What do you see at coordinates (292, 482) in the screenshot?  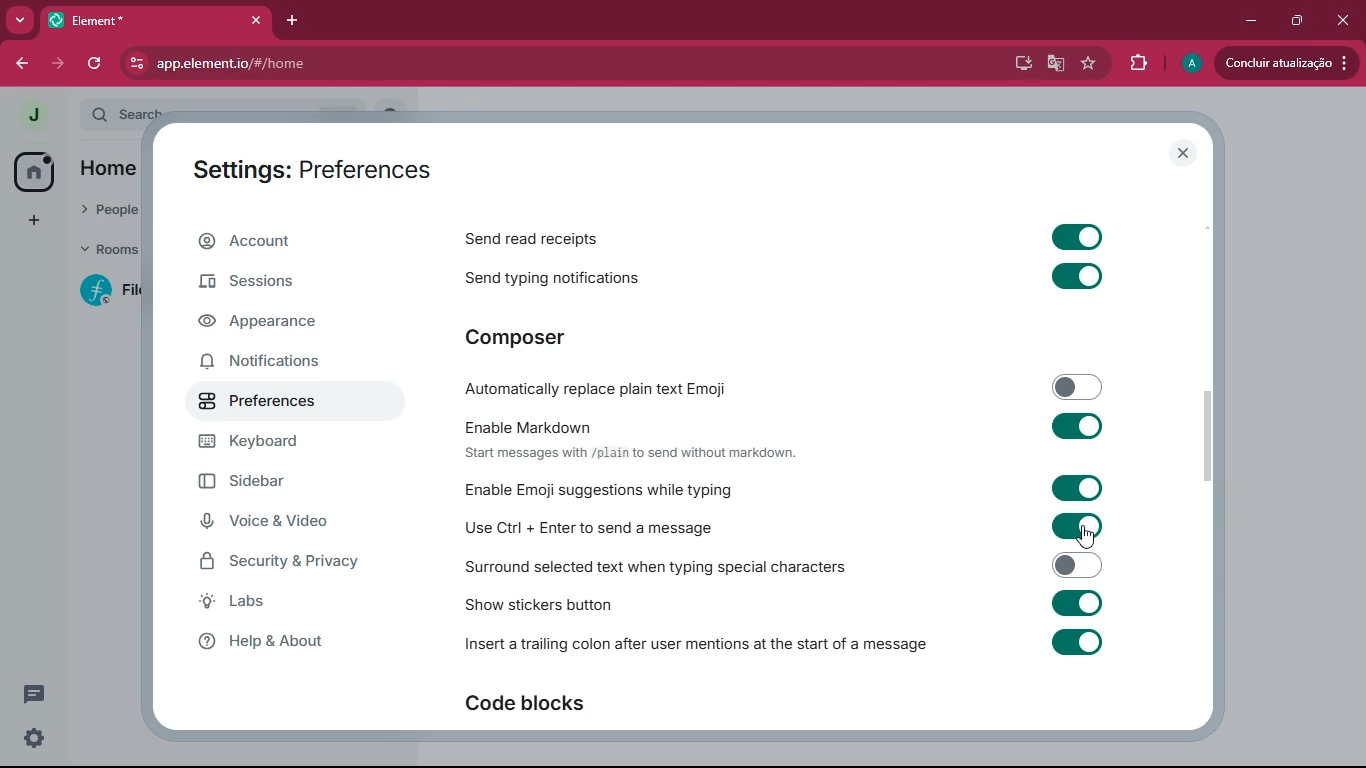 I see `sidebar` at bounding box center [292, 482].